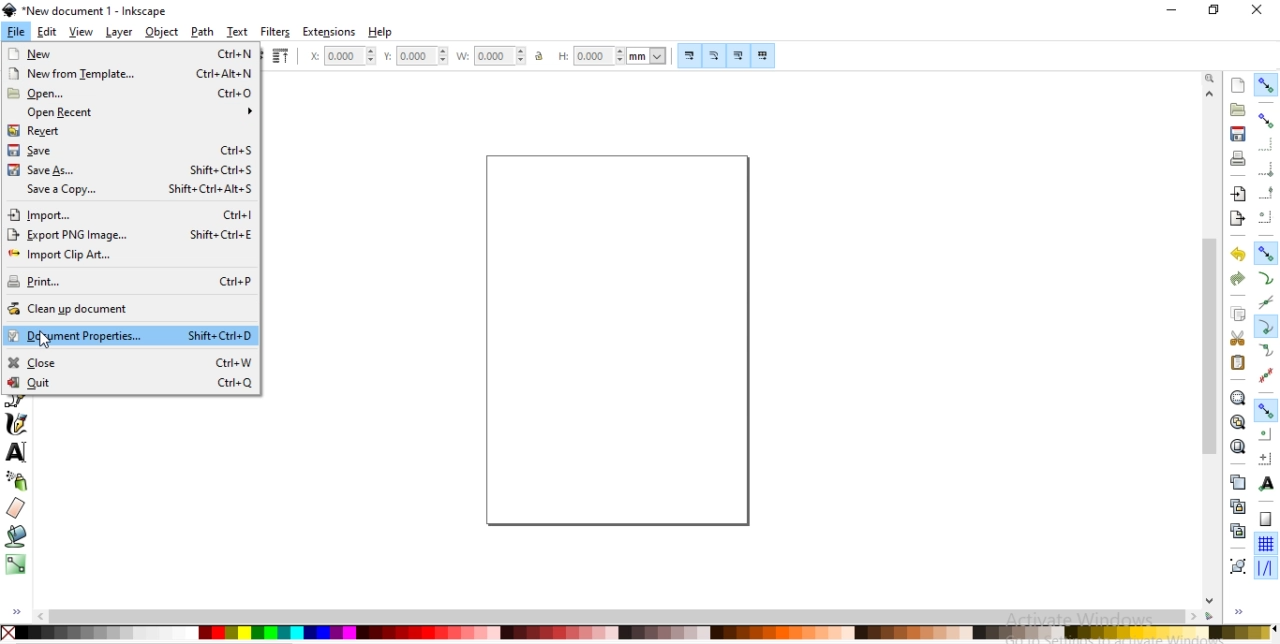  What do you see at coordinates (1237, 446) in the screenshot?
I see `zoom to fit page` at bounding box center [1237, 446].